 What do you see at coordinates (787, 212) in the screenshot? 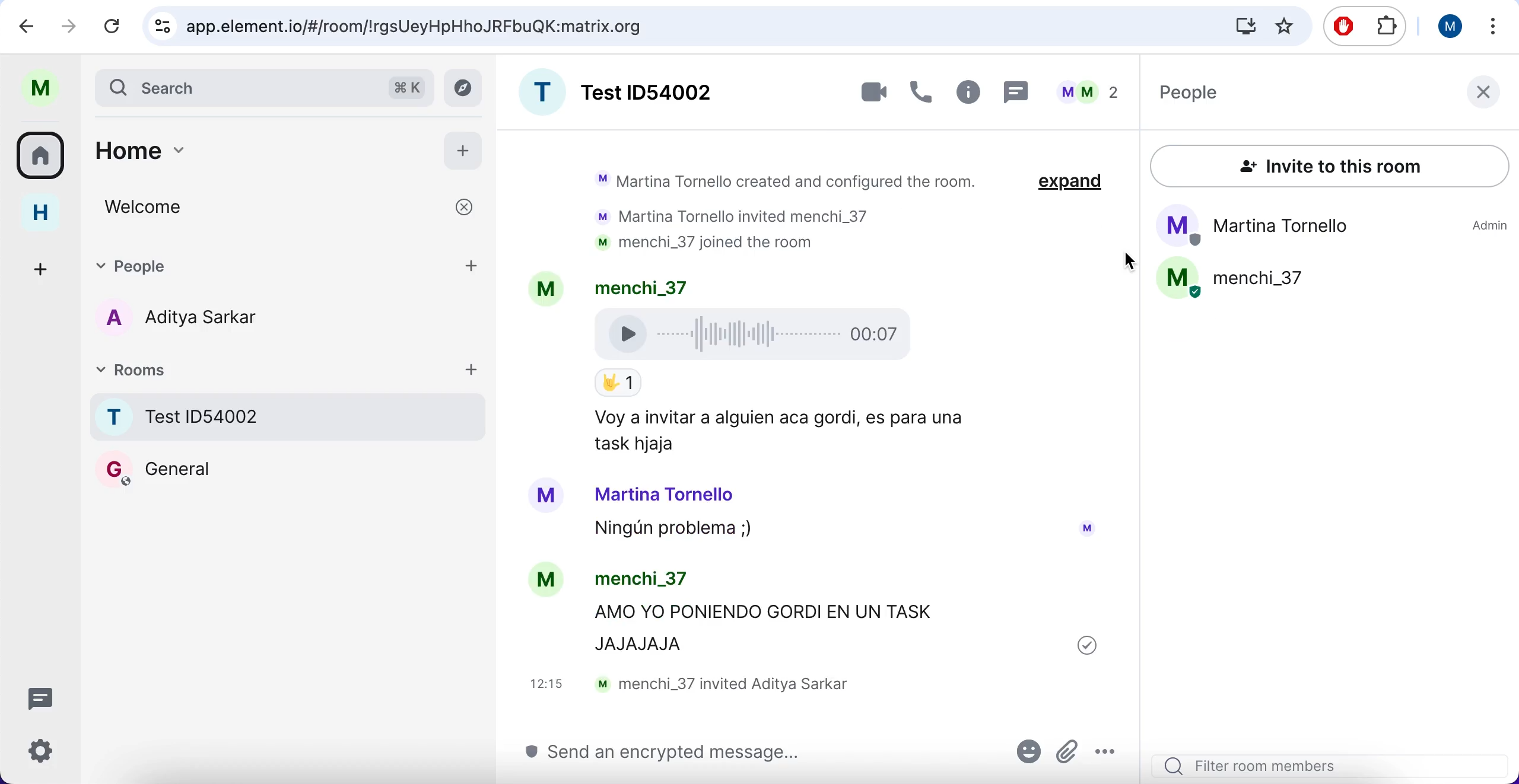
I see `Martina Tornello created and configured the room.
Martina Tornello invited menchi_37
menchi_37 joined the room` at bounding box center [787, 212].